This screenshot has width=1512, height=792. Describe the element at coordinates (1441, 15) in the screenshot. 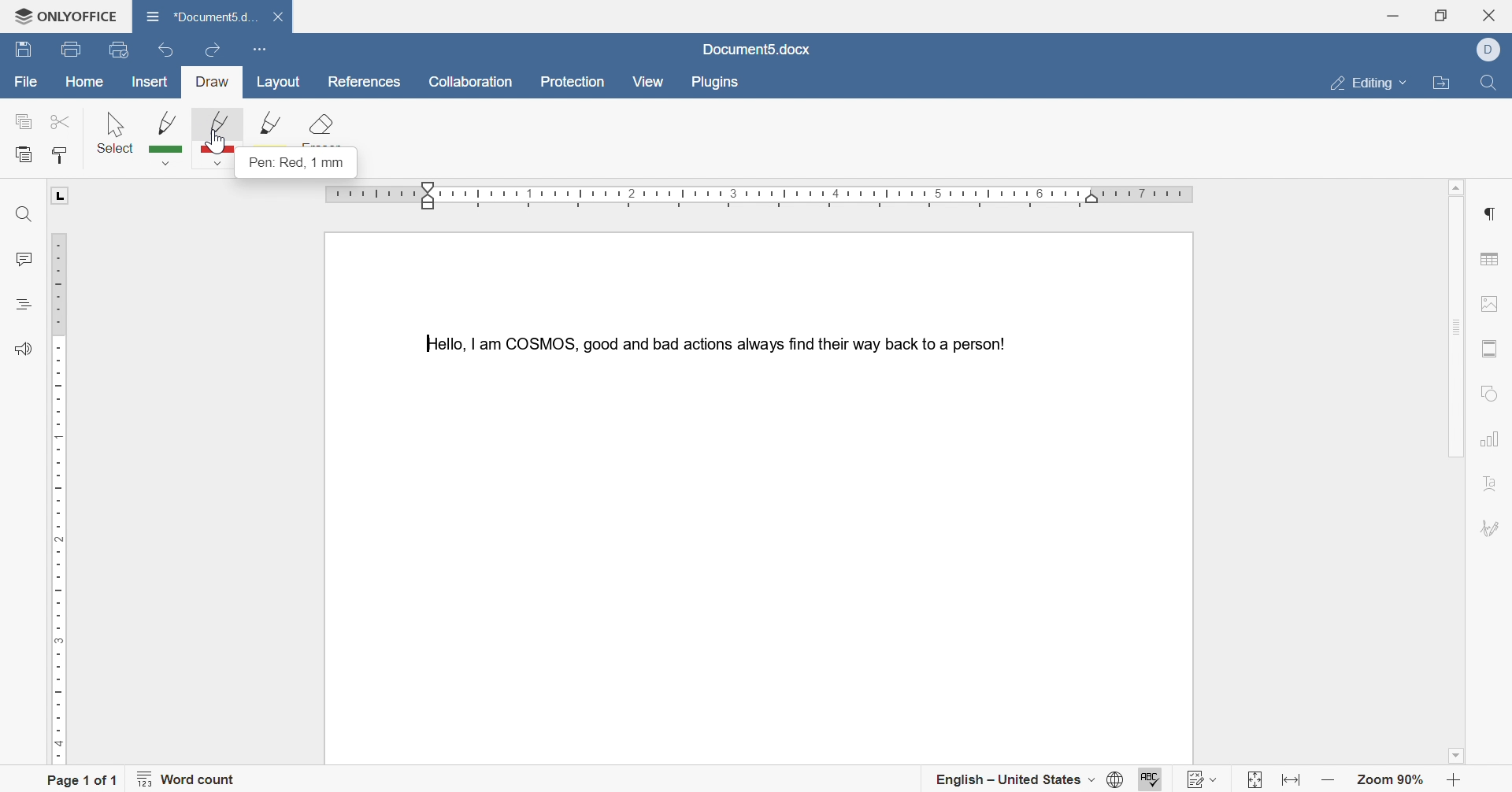

I see `restore down` at that location.